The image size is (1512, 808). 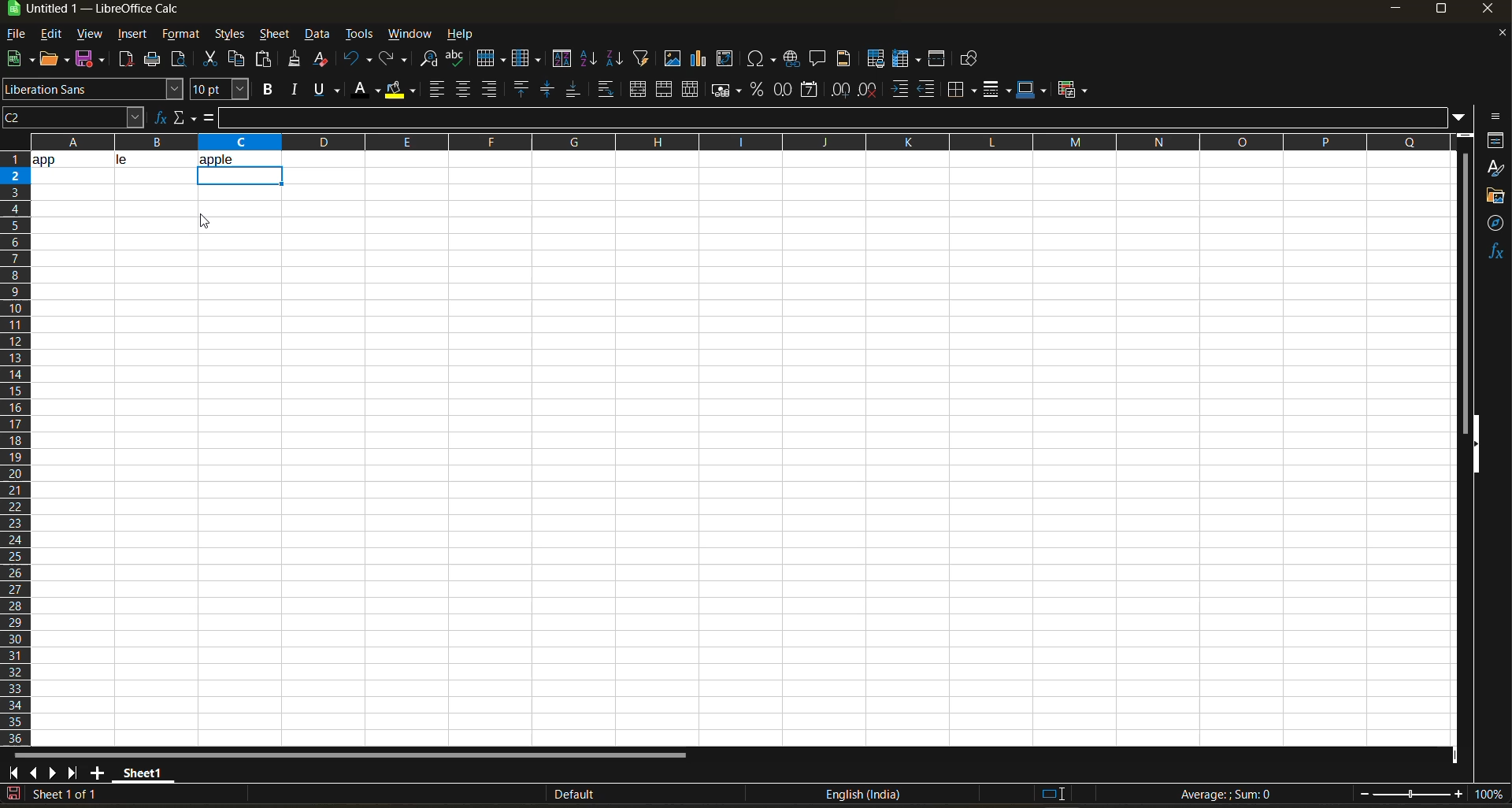 What do you see at coordinates (794, 58) in the screenshot?
I see `insert hyperlink` at bounding box center [794, 58].